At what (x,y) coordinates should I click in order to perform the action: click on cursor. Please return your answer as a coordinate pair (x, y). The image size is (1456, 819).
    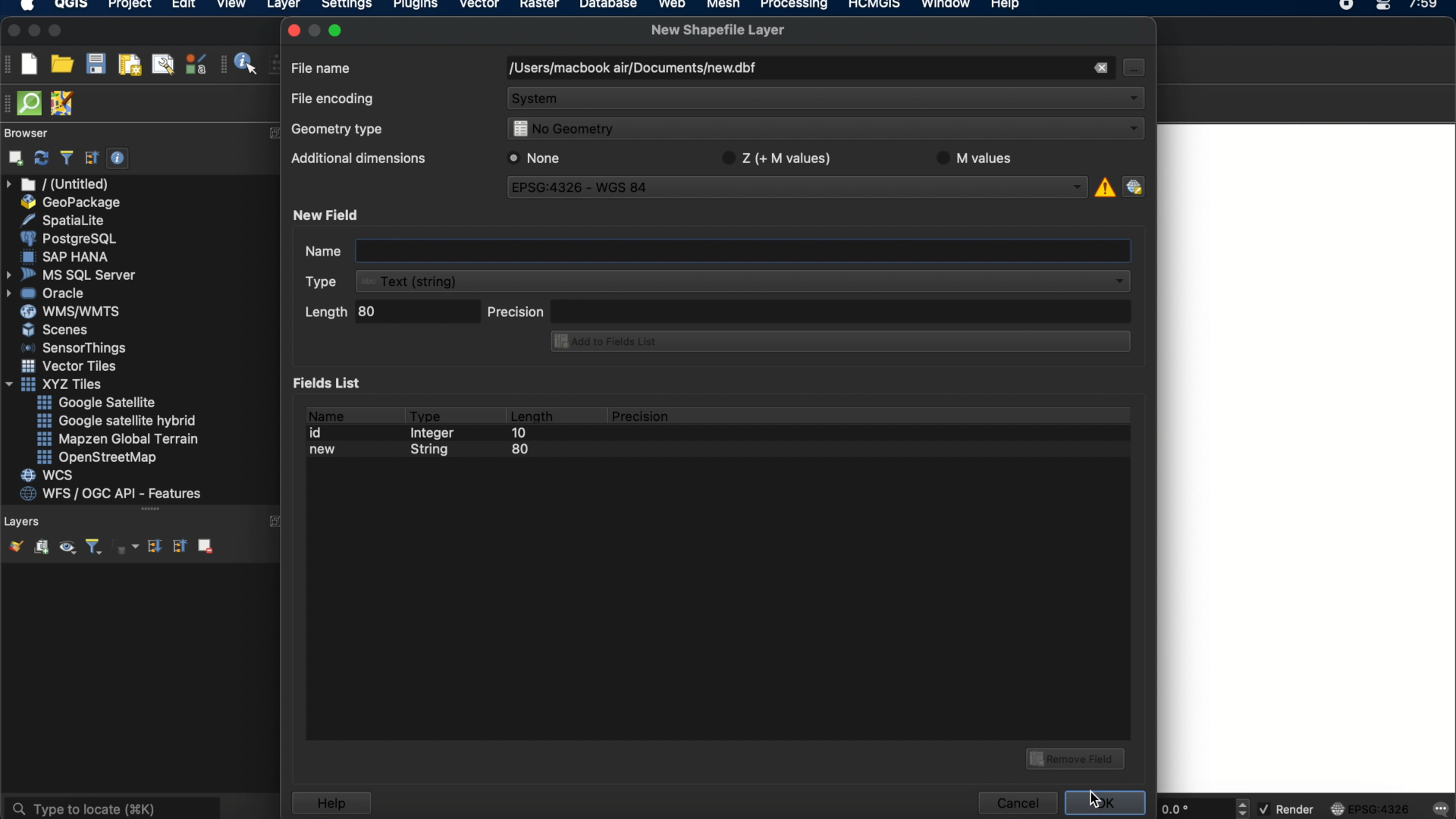
    Looking at the image, I should click on (1094, 800).